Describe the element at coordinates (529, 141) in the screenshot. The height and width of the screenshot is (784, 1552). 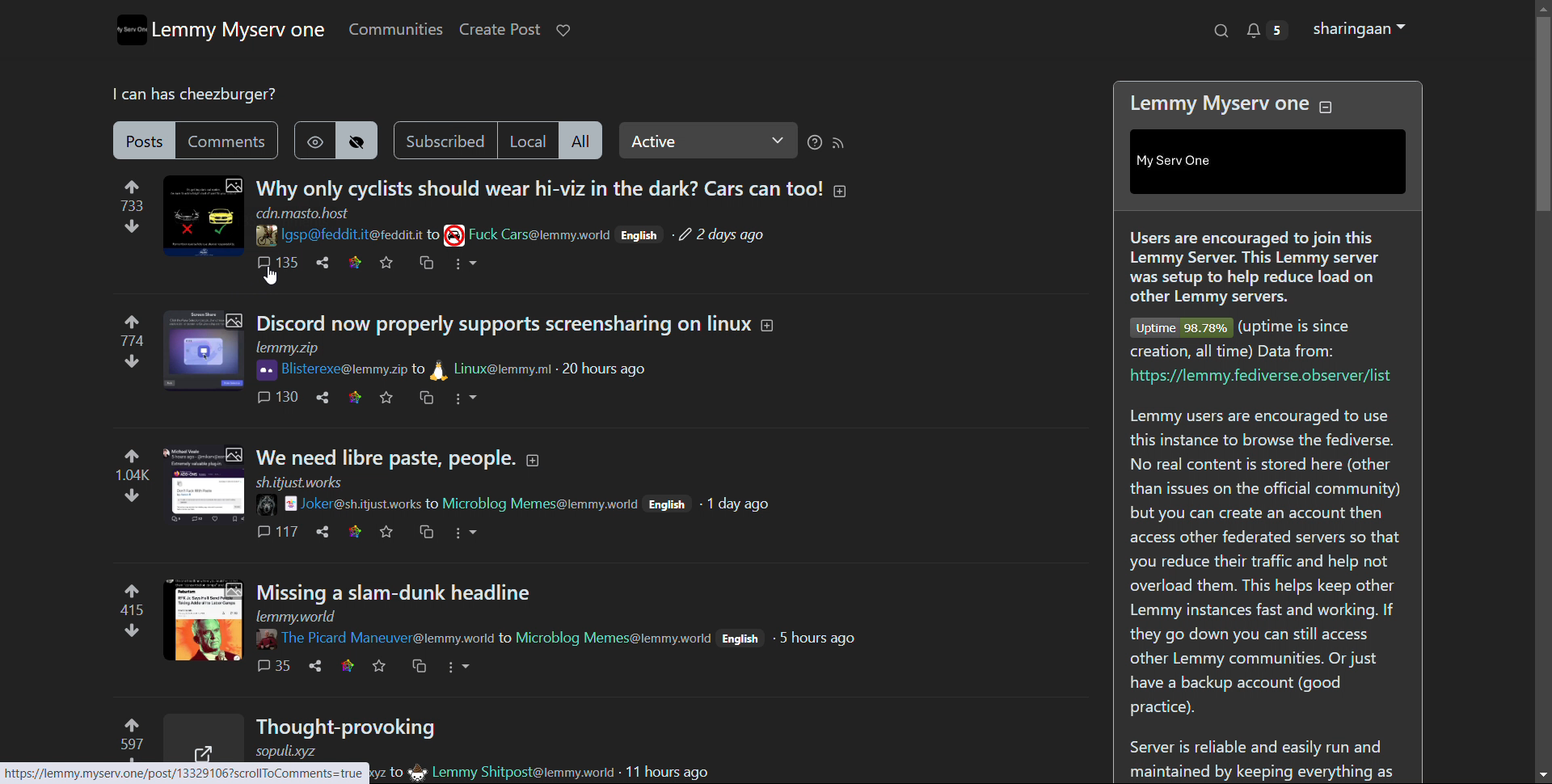
I see `local` at that location.